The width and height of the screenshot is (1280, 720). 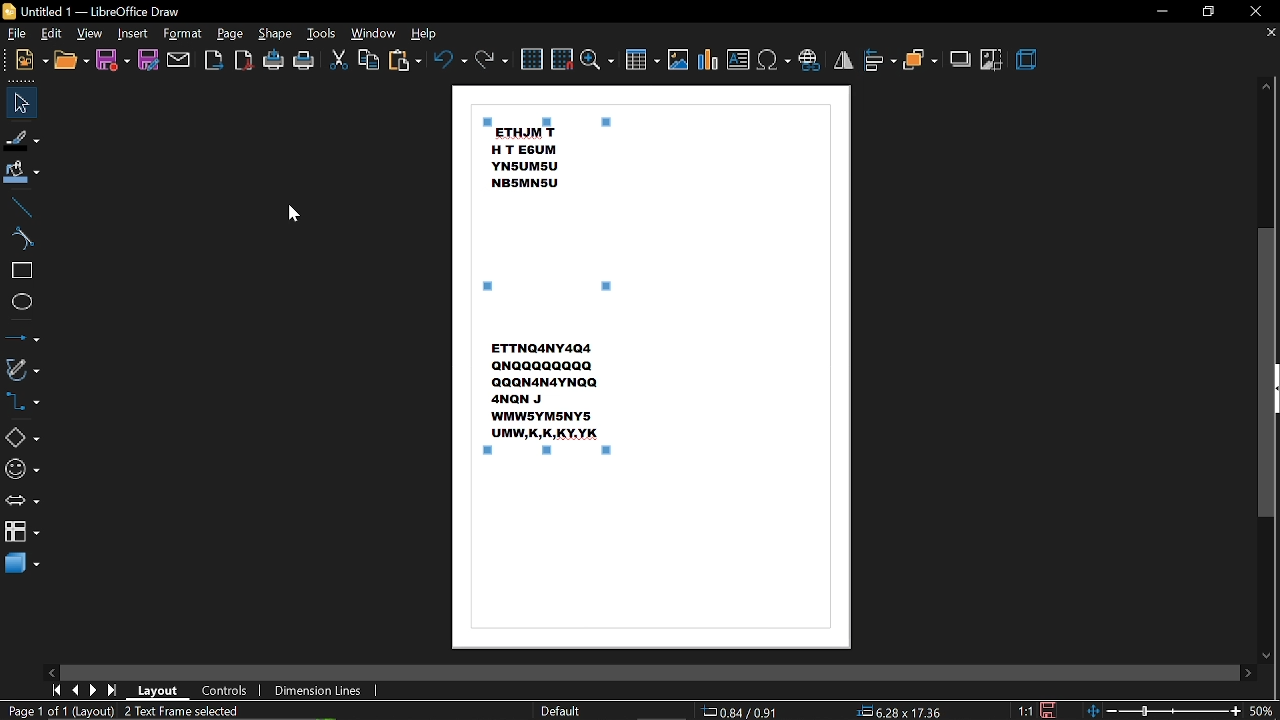 What do you see at coordinates (493, 60) in the screenshot?
I see `redo` at bounding box center [493, 60].